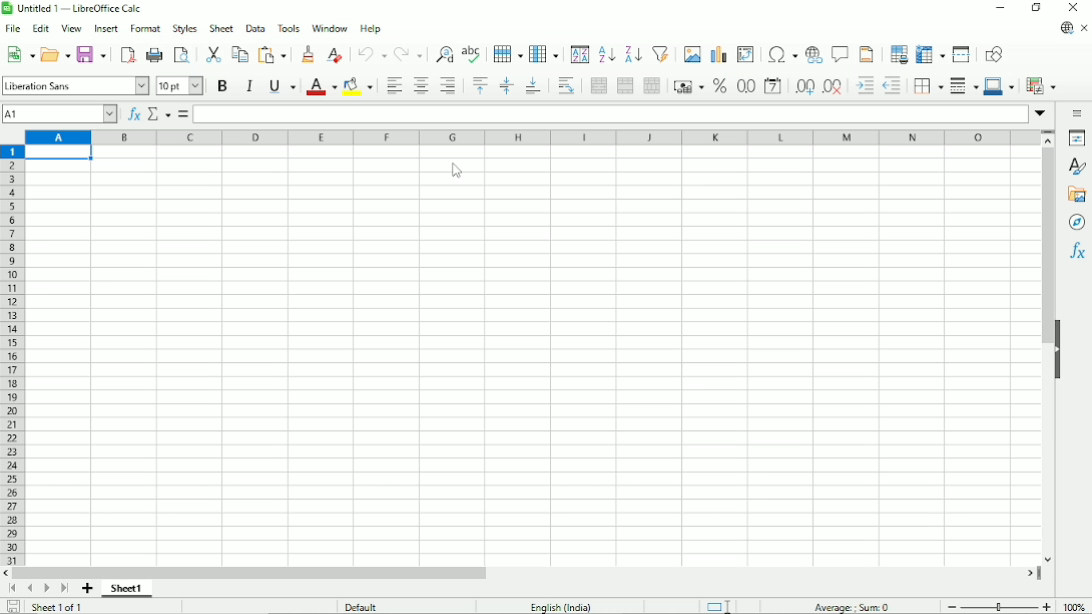  Describe the element at coordinates (183, 56) in the screenshot. I see `Toggle print preview` at that location.